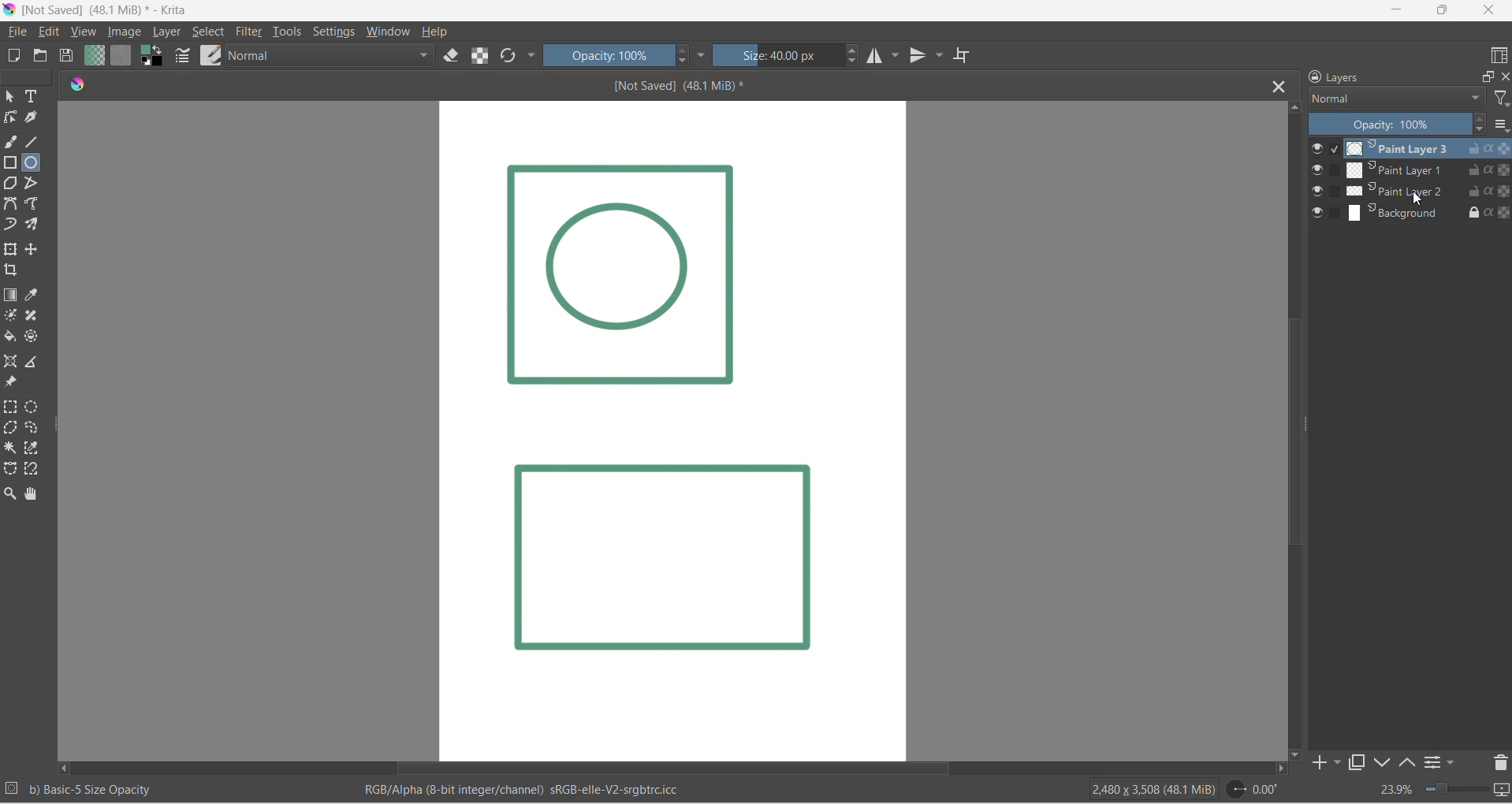  Describe the element at coordinates (1317, 213) in the screenshot. I see `visibilty` at that location.